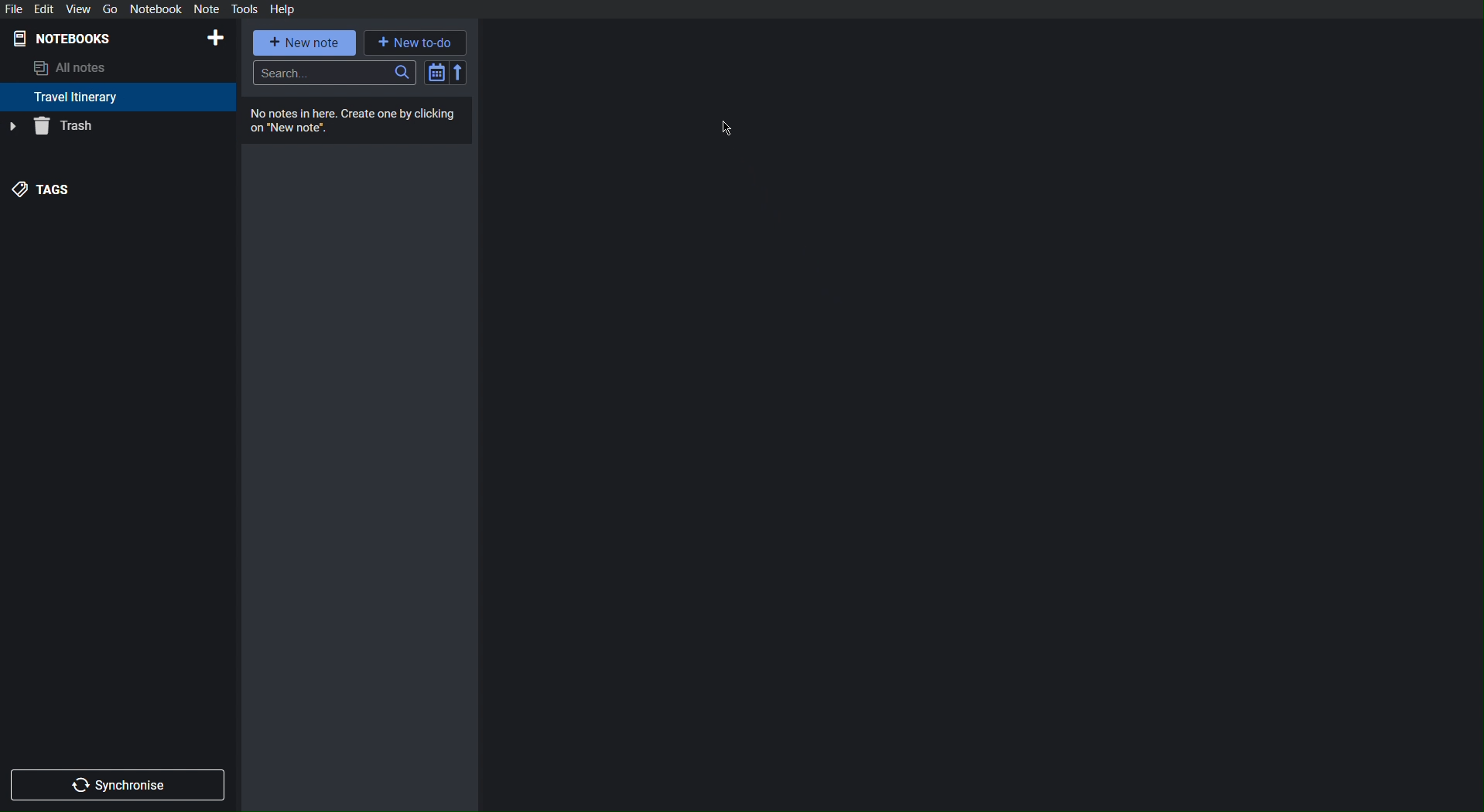 The height and width of the screenshot is (812, 1484). What do you see at coordinates (41, 187) in the screenshot?
I see `Tags` at bounding box center [41, 187].